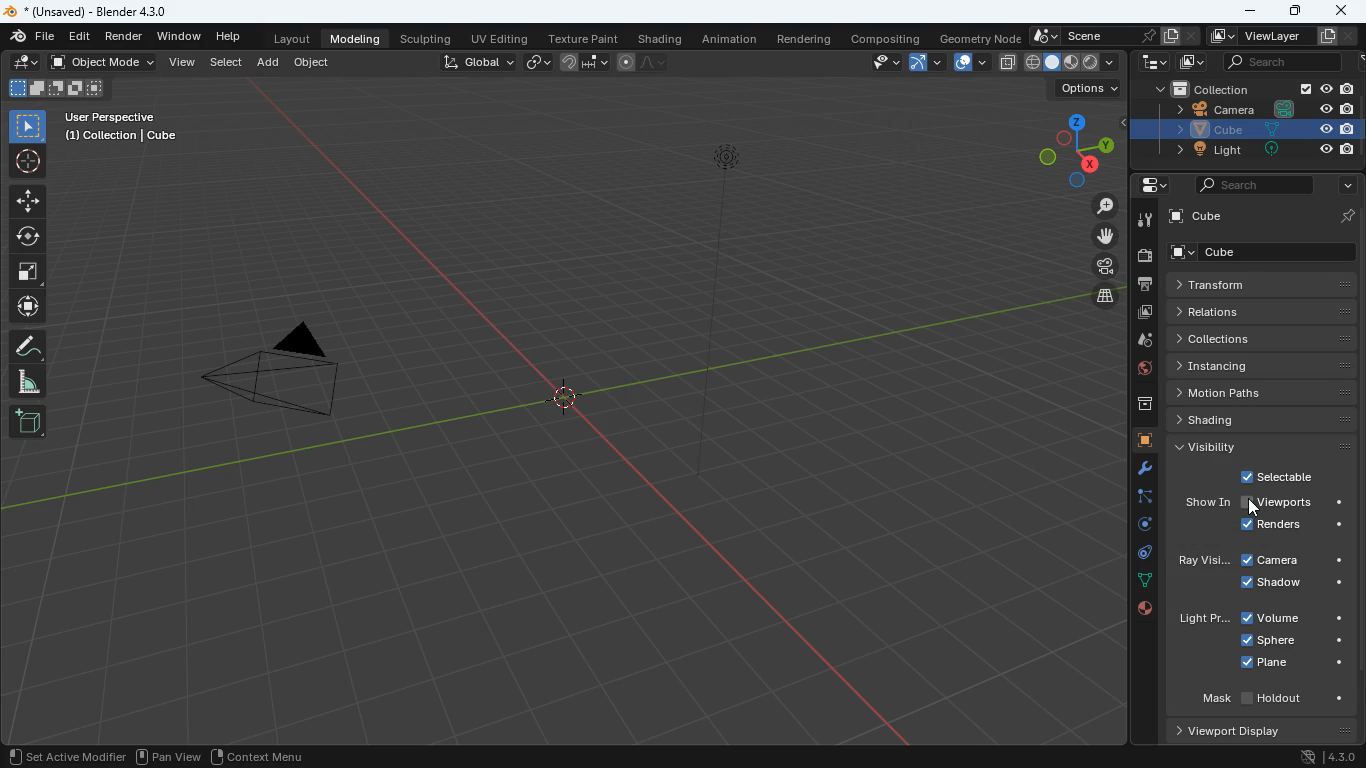 This screenshot has width=1366, height=768. I want to click on archive, so click(1135, 404).